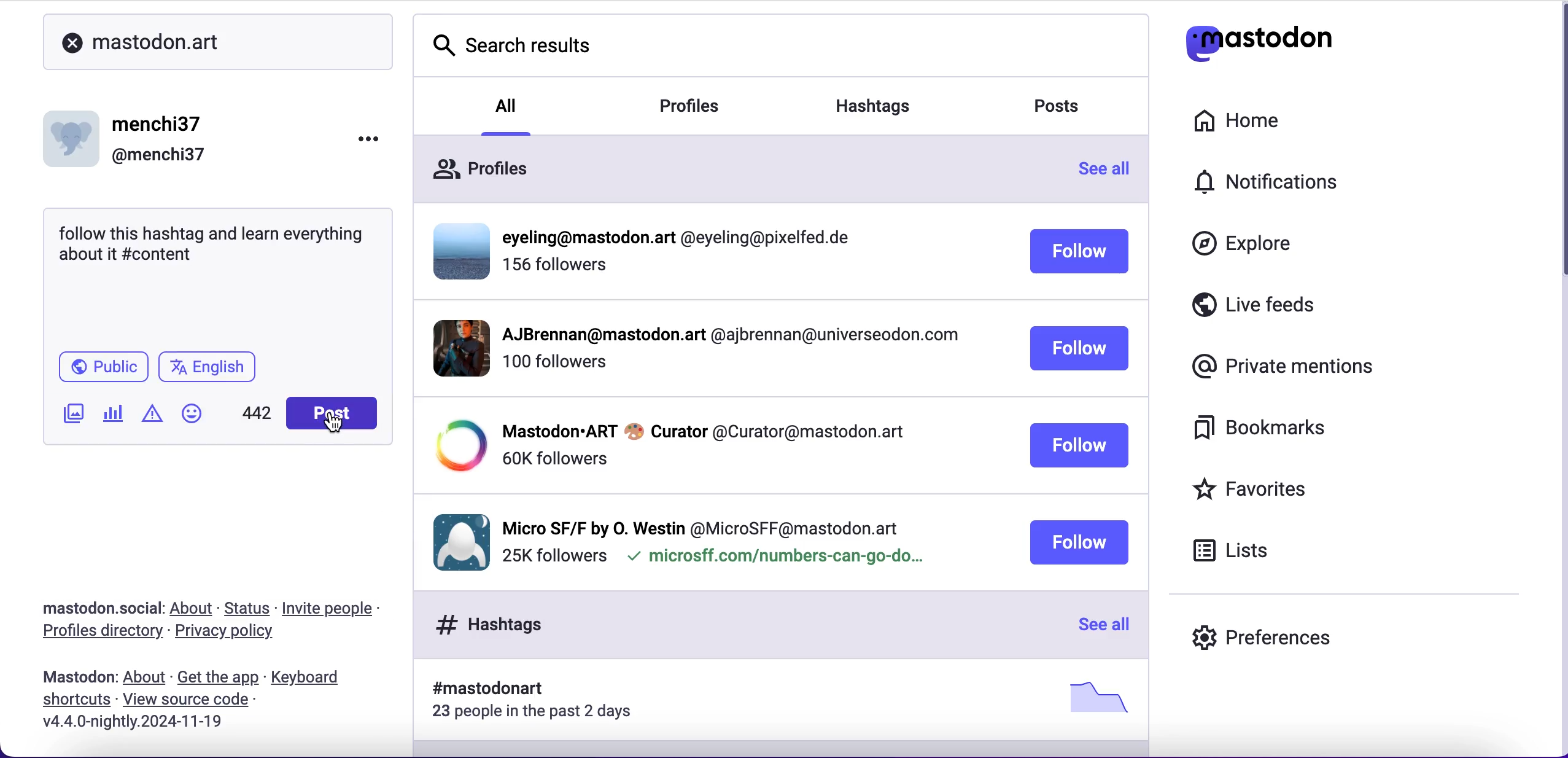  Describe the element at coordinates (456, 446) in the screenshot. I see `display picture` at that location.